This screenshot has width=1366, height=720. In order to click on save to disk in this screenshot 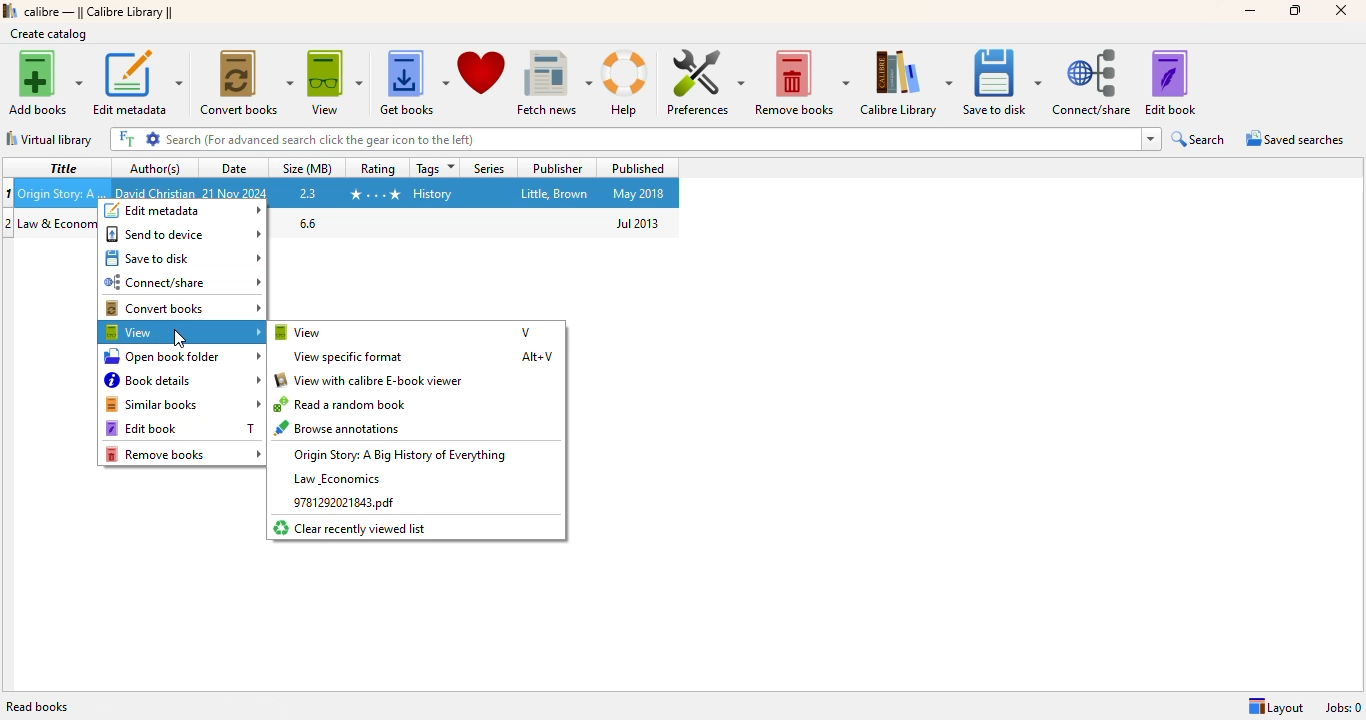, I will do `click(1003, 83)`.